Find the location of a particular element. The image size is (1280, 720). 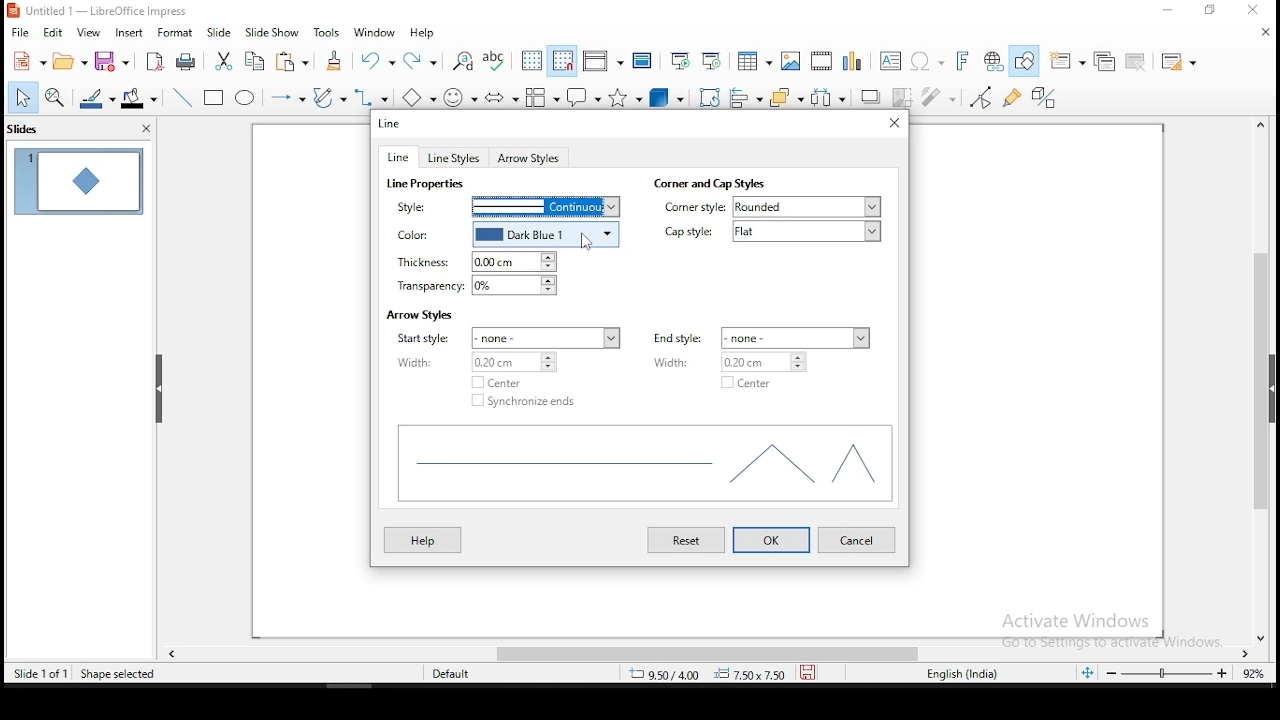

cursor is located at coordinates (590, 240).